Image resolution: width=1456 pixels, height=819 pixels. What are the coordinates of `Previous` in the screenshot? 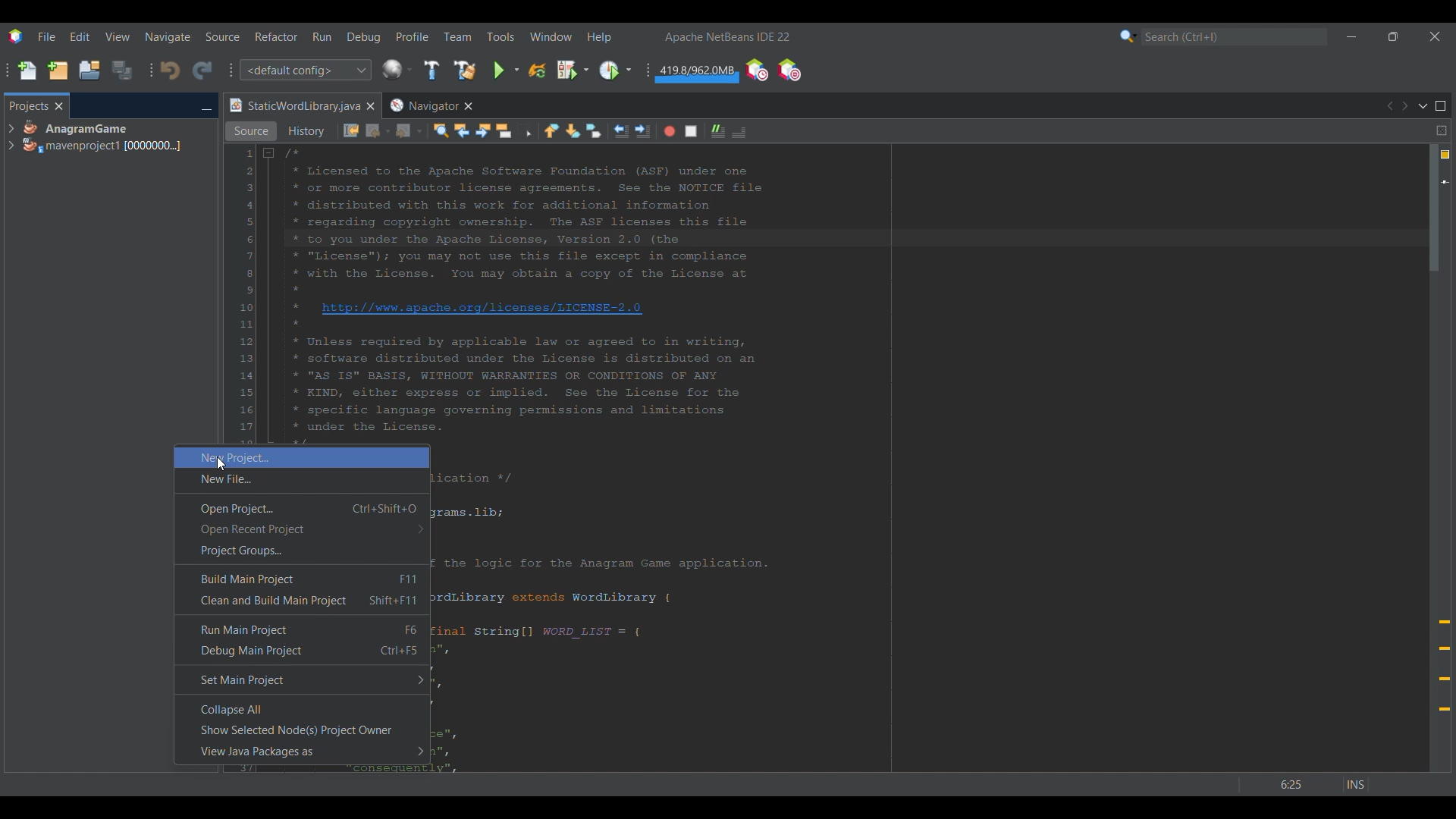 It's located at (1389, 106).